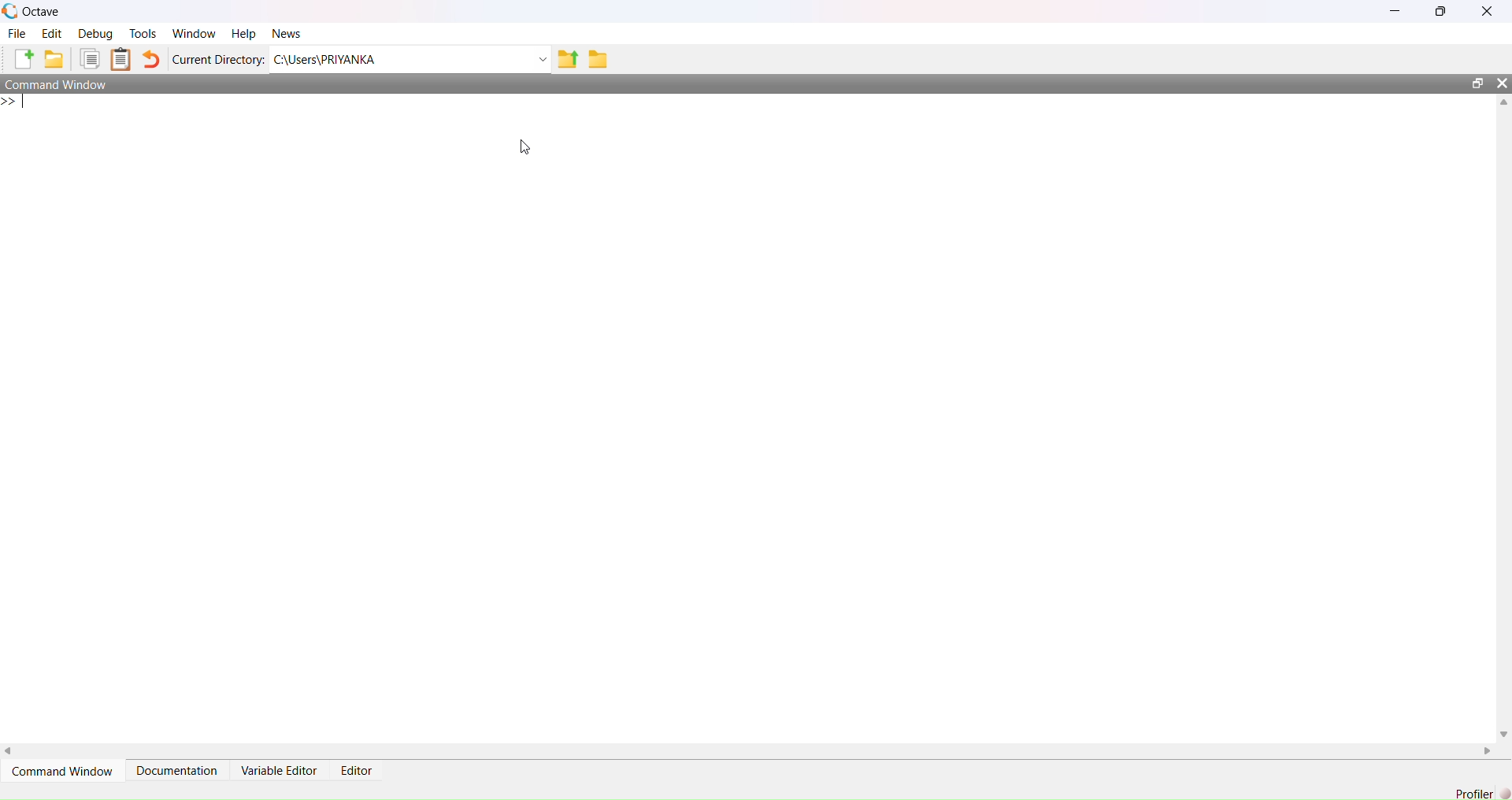 The image size is (1512, 800). What do you see at coordinates (1443, 9) in the screenshot?
I see `Maximize` at bounding box center [1443, 9].